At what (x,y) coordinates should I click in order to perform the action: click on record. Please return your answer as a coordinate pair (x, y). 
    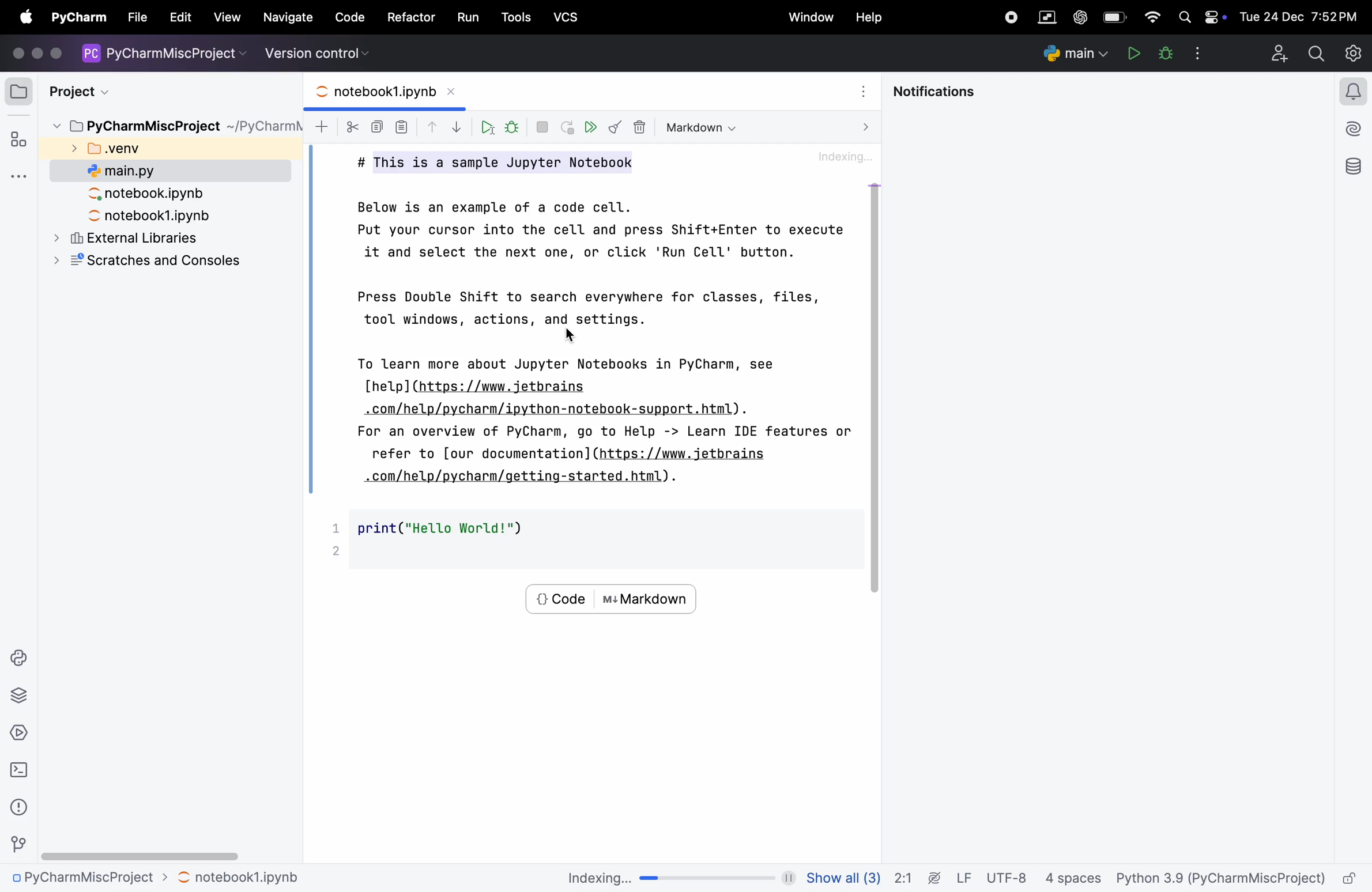
    Looking at the image, I should click on (1011, 18).